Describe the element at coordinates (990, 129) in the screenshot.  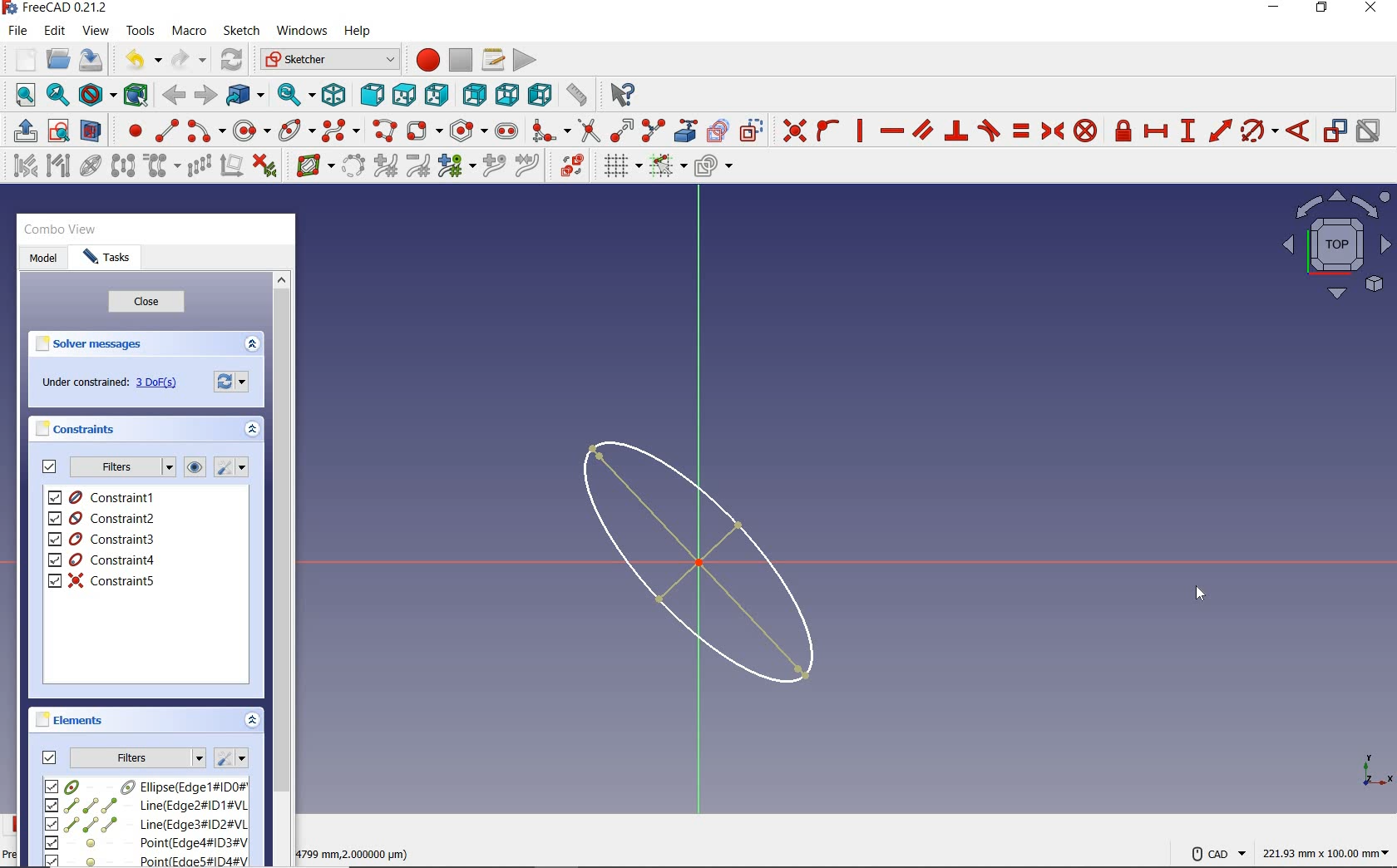
I see `constrain tangent` at that location.